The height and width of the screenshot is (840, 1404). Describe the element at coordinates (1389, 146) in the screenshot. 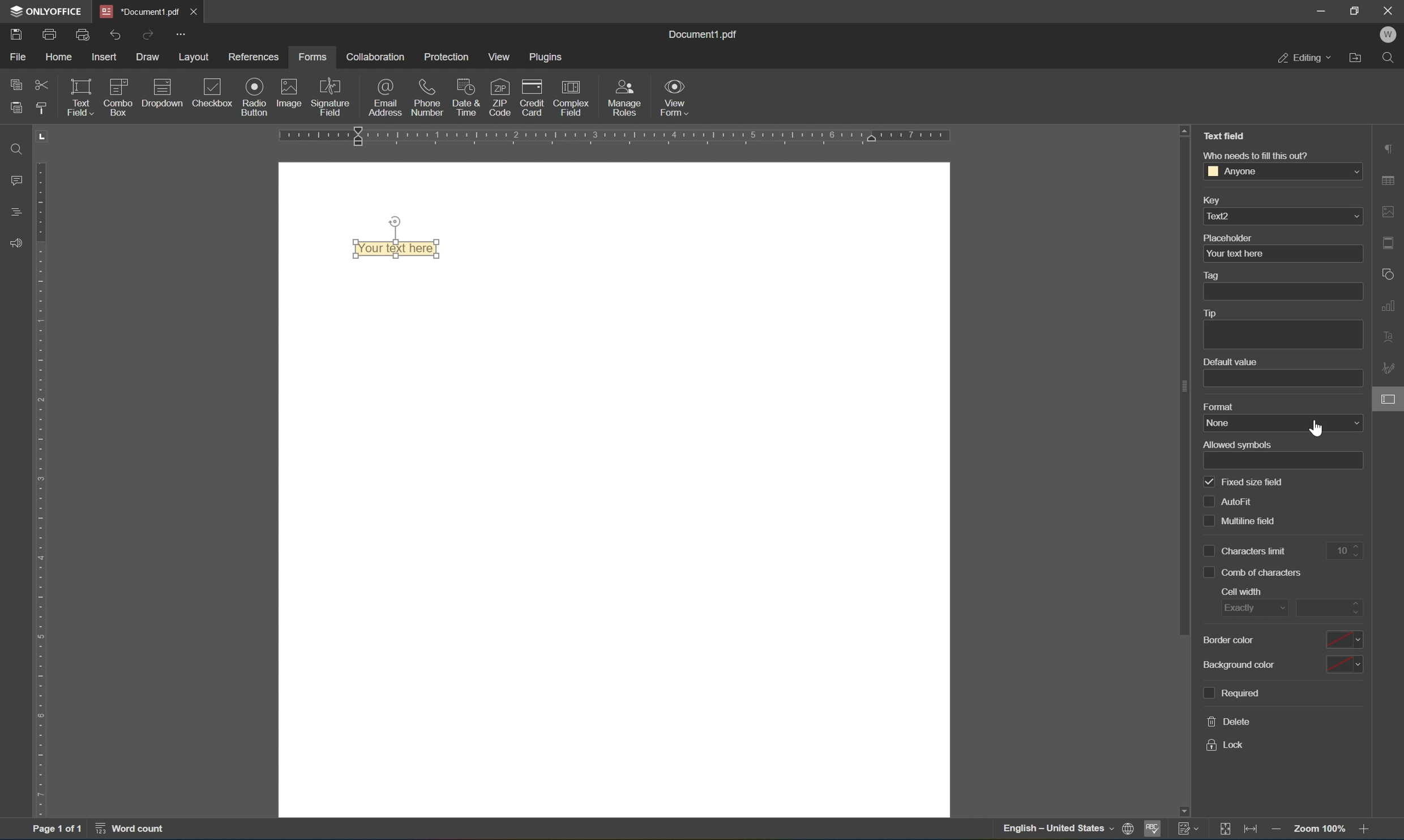

I see `paragraph settings` at that location.